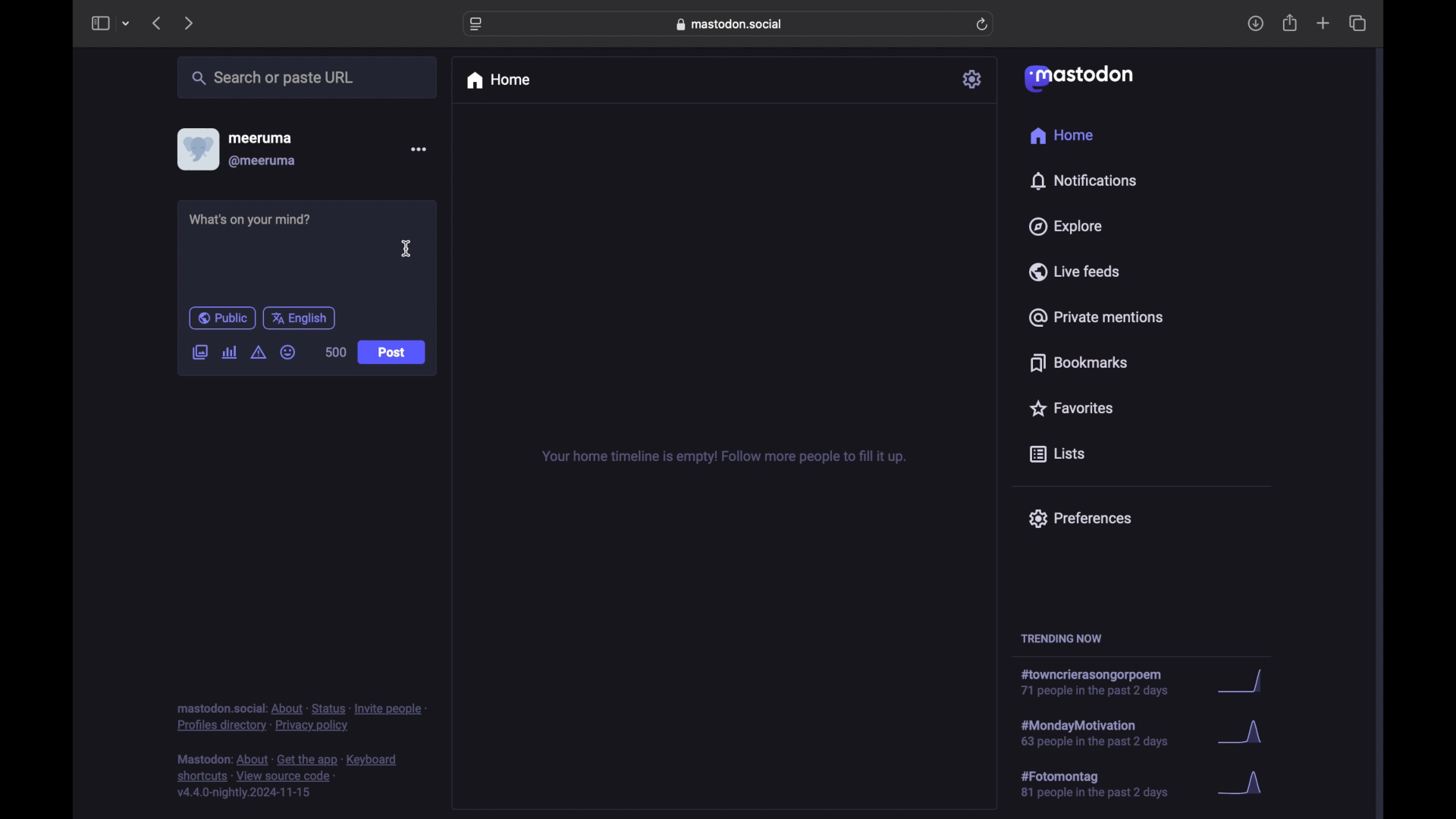  What do you see at coordinates (1291, 23) in the screenshot?
I see `share` at bounding box center [1291, 23].